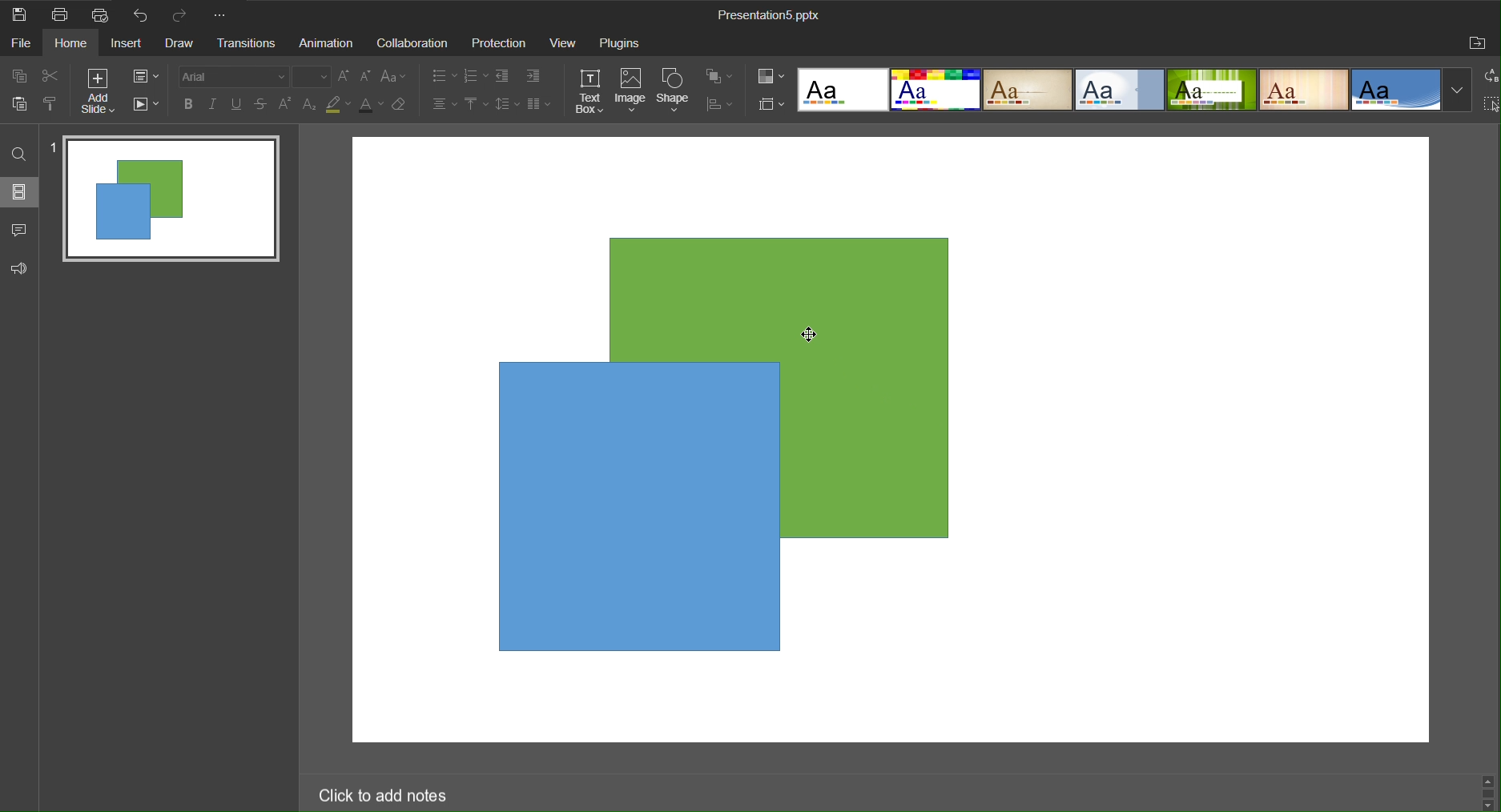 This screenshot has height=812, width=1501. Describe the element at coordinates (51, 75) in the screenshot. I see `Cut` at that location.